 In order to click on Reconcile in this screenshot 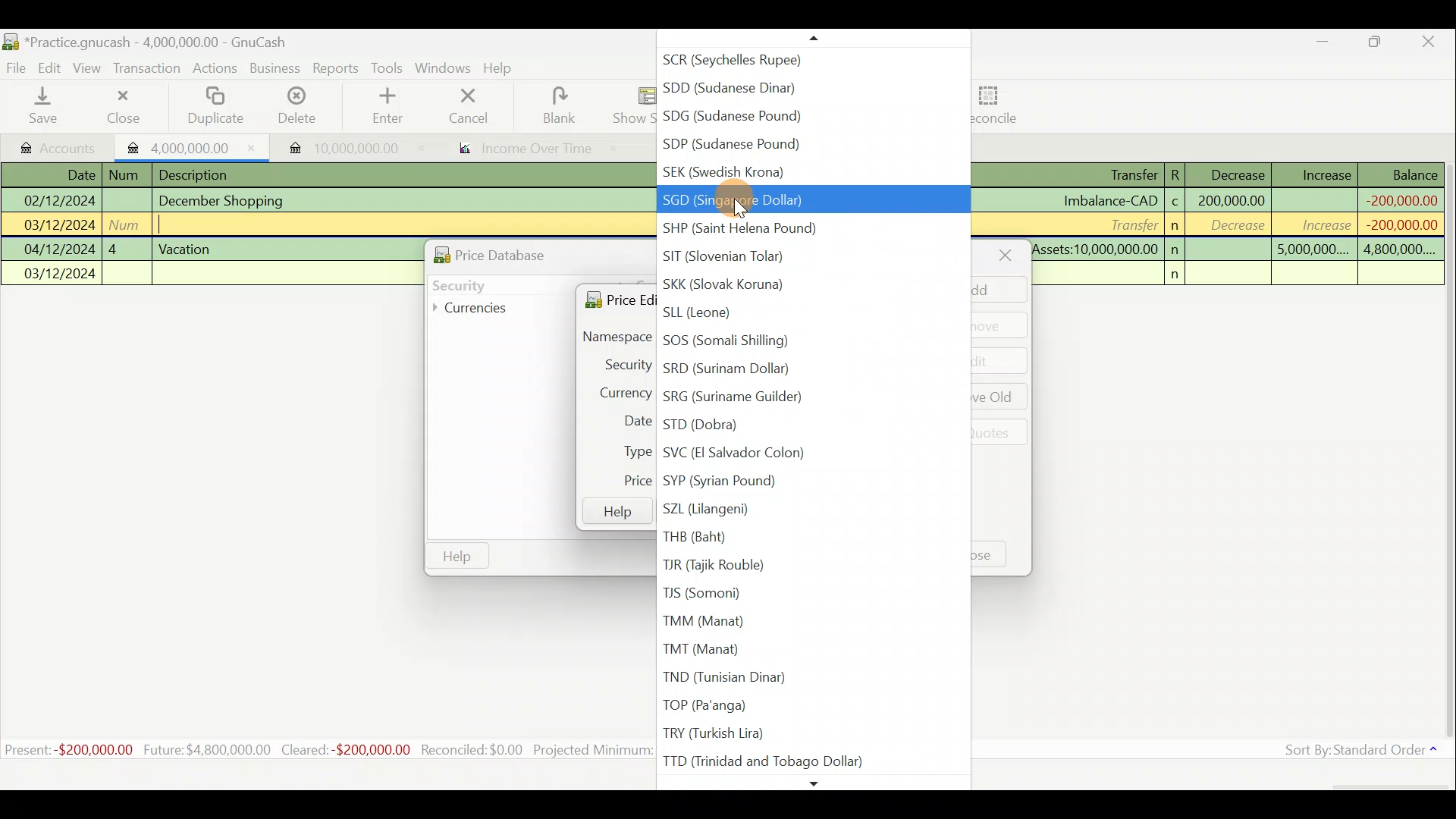, I will do `click(991, 105)`.